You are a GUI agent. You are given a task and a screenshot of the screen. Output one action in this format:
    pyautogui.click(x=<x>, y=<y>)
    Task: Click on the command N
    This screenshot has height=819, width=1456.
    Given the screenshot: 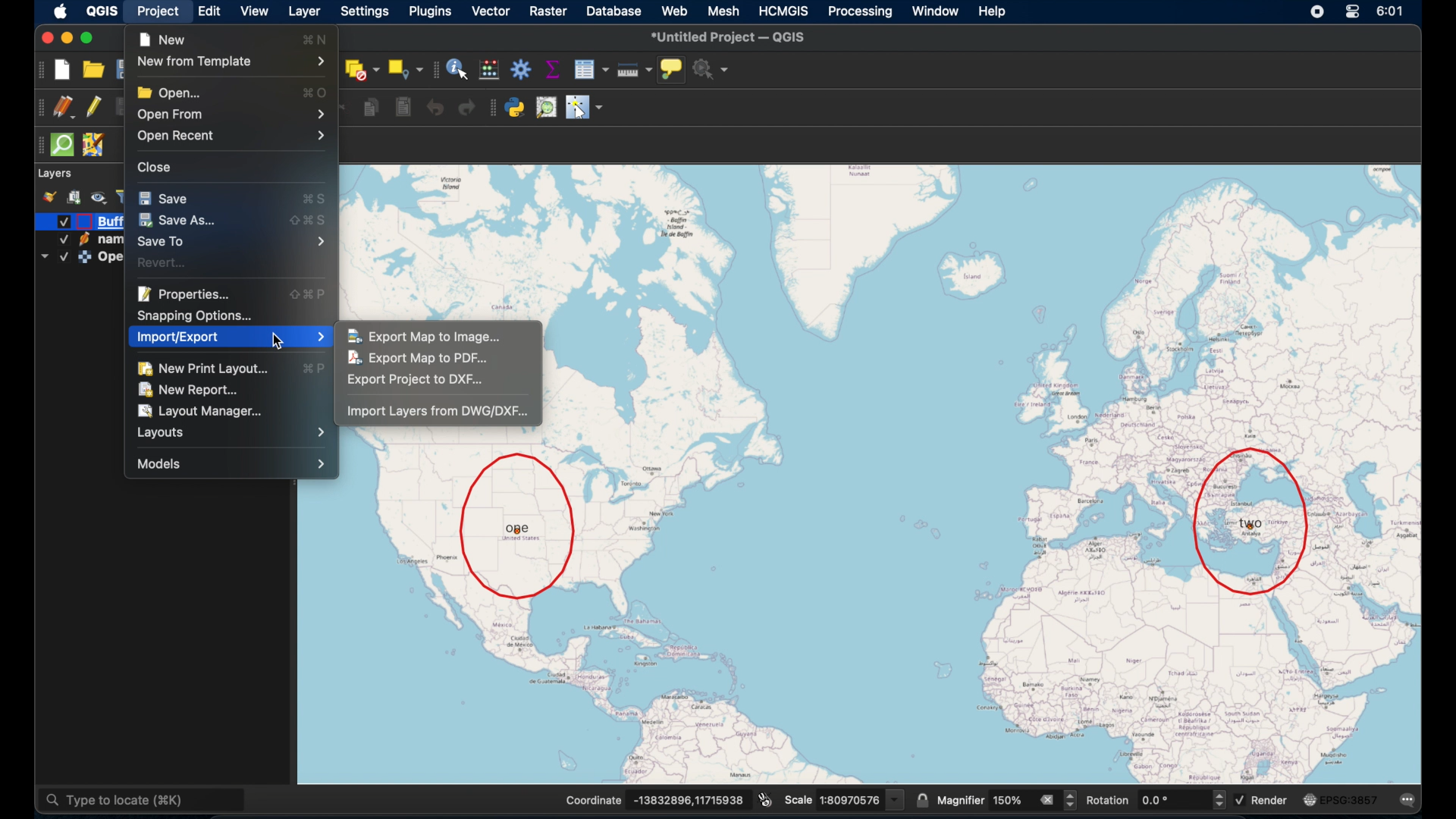 What is the action you would take?
    pyautogui.click(x=317, y=38)
    